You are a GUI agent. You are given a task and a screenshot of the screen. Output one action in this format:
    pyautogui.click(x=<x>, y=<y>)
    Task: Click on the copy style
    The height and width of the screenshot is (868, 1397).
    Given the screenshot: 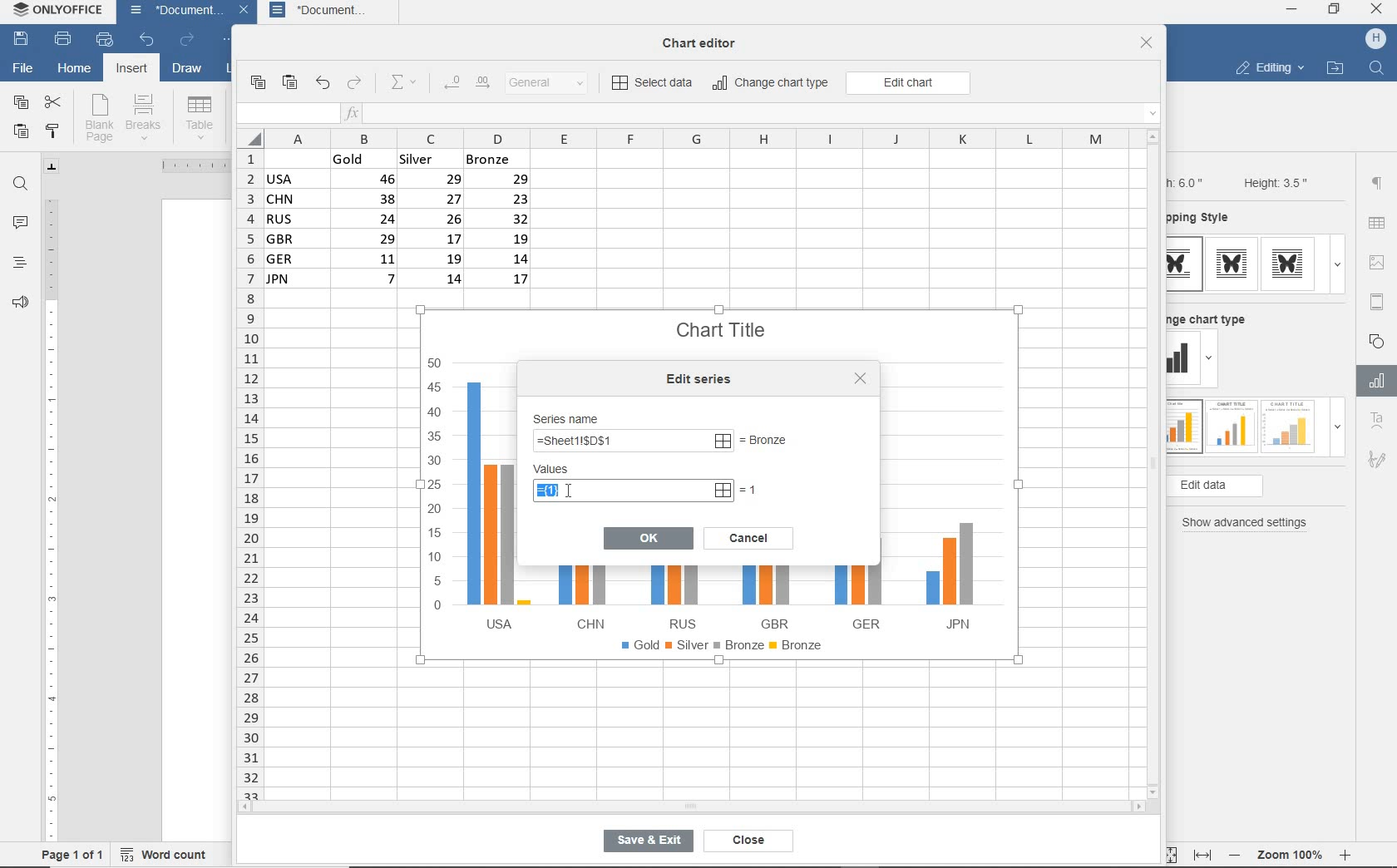 What is the action you would take?
    pyautogui.click(x=54, y=131)
    